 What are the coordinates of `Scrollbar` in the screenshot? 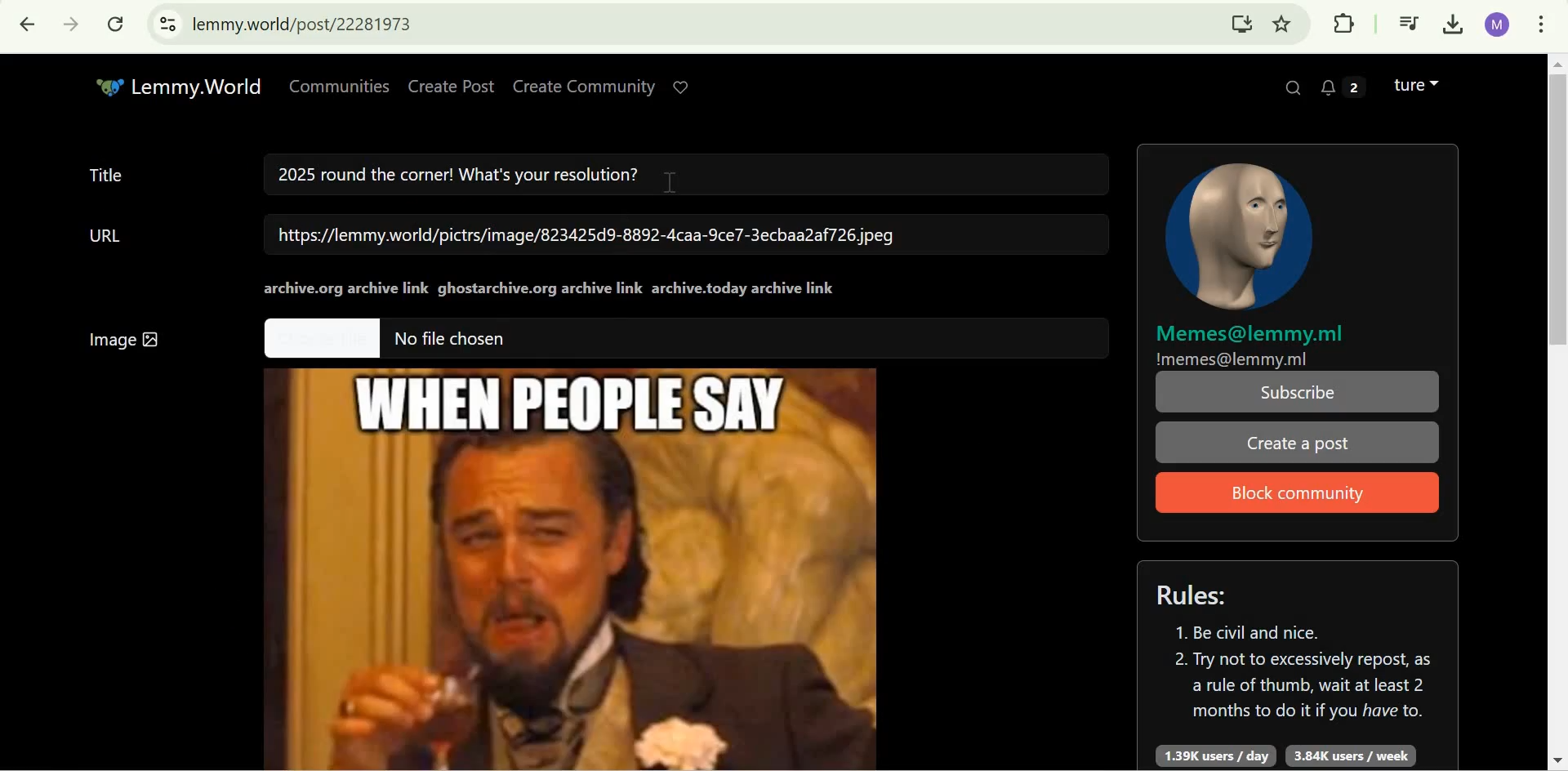 It's located at (1552, 409).